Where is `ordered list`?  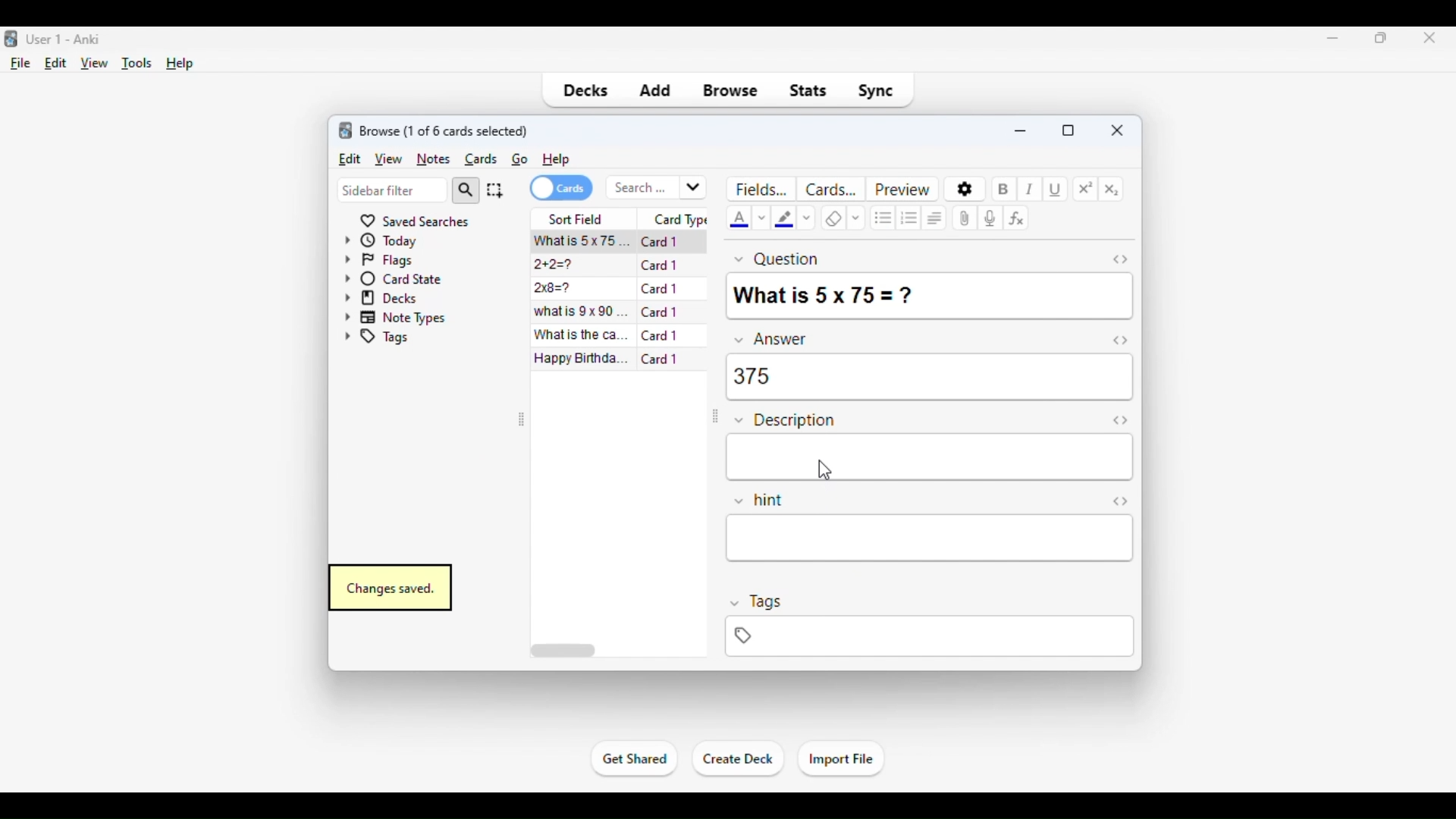 ordered list is located at coordinates (910, 218).